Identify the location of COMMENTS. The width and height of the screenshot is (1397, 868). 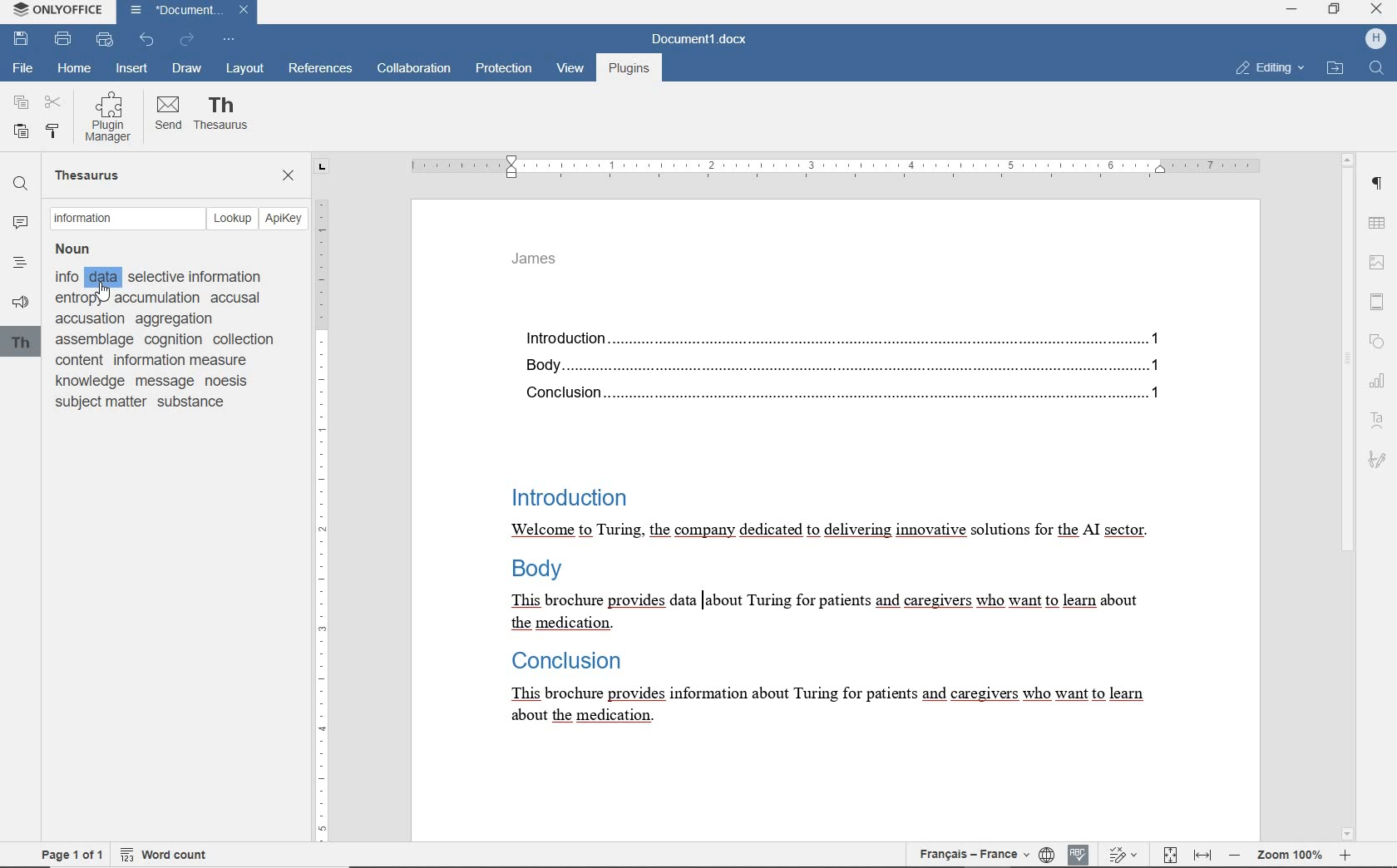
(16, 223).